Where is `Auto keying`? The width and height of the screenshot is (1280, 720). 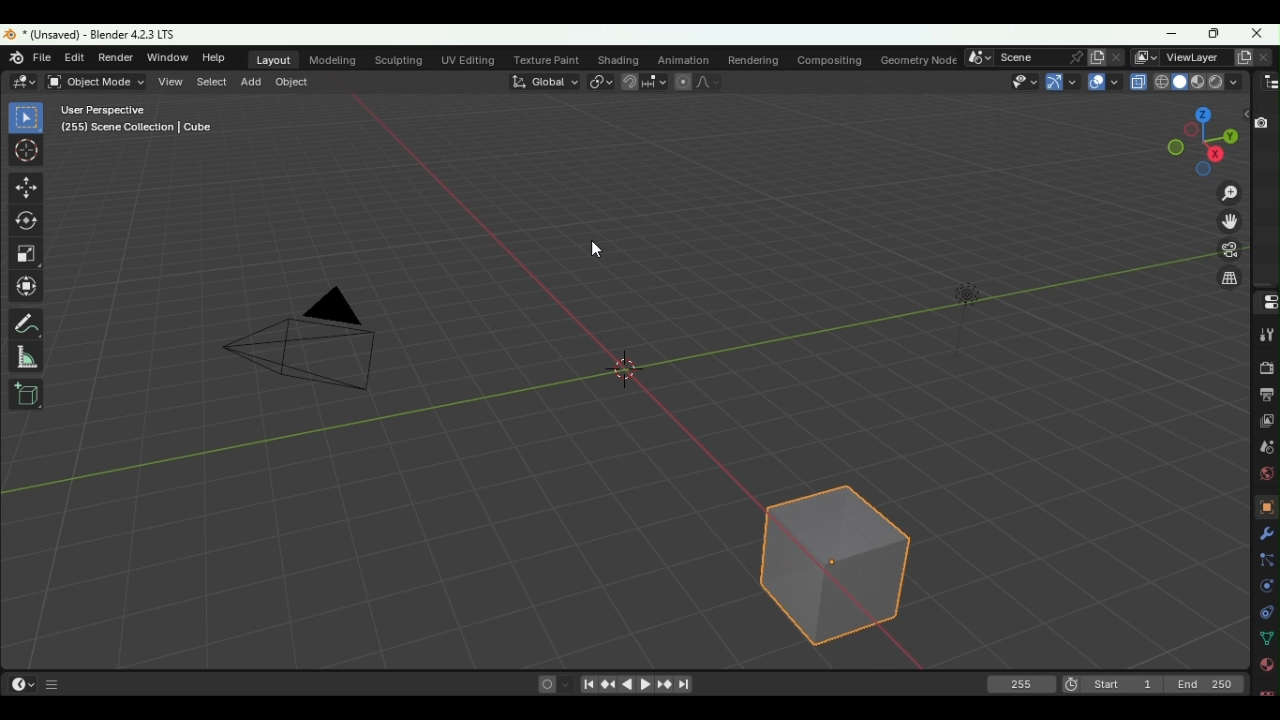
Auto keying is located at coordinates (546, 683).